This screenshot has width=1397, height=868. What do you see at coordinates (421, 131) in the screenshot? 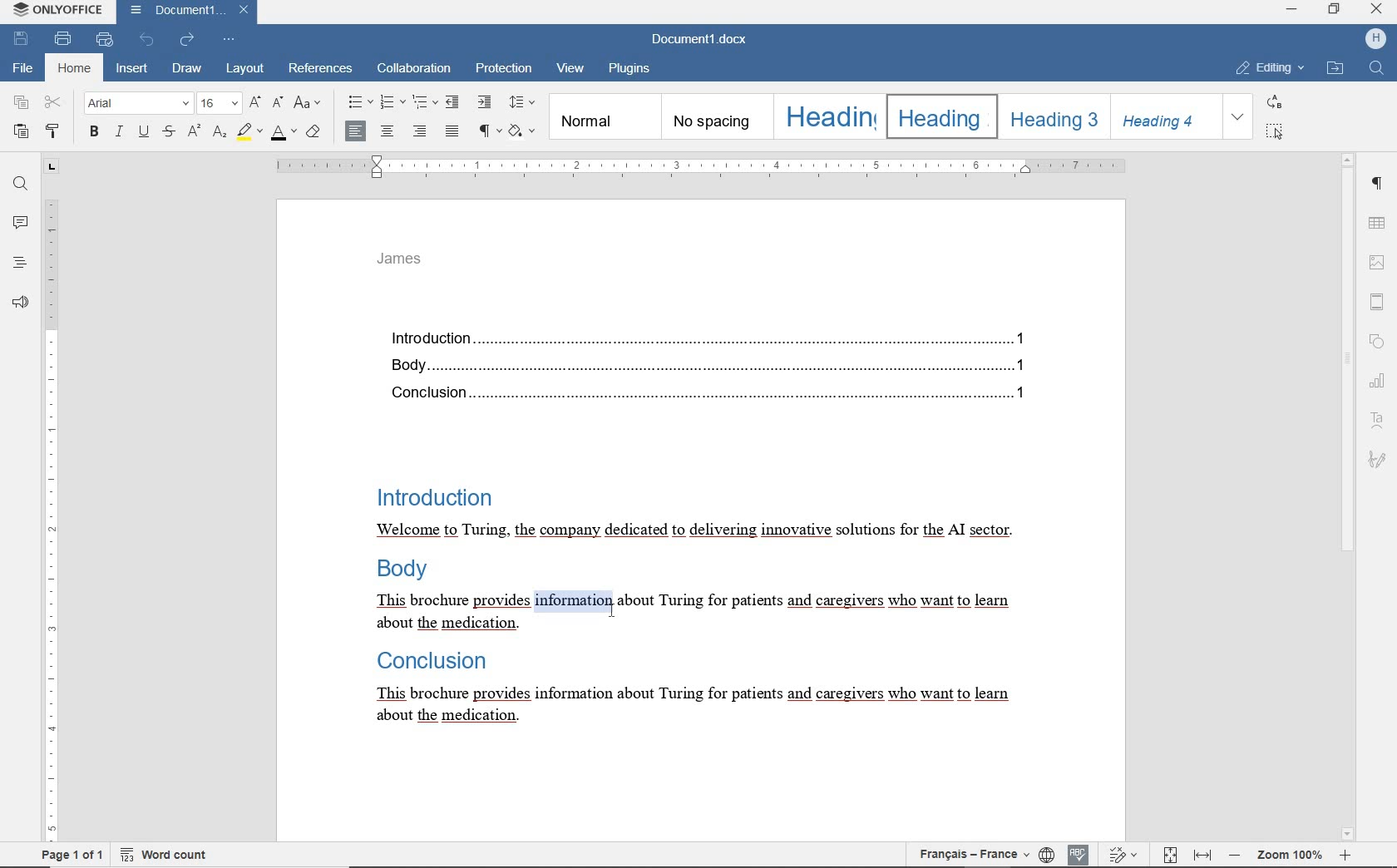
I see `ALIGN RIGHT` at bounding box center [421, 131].